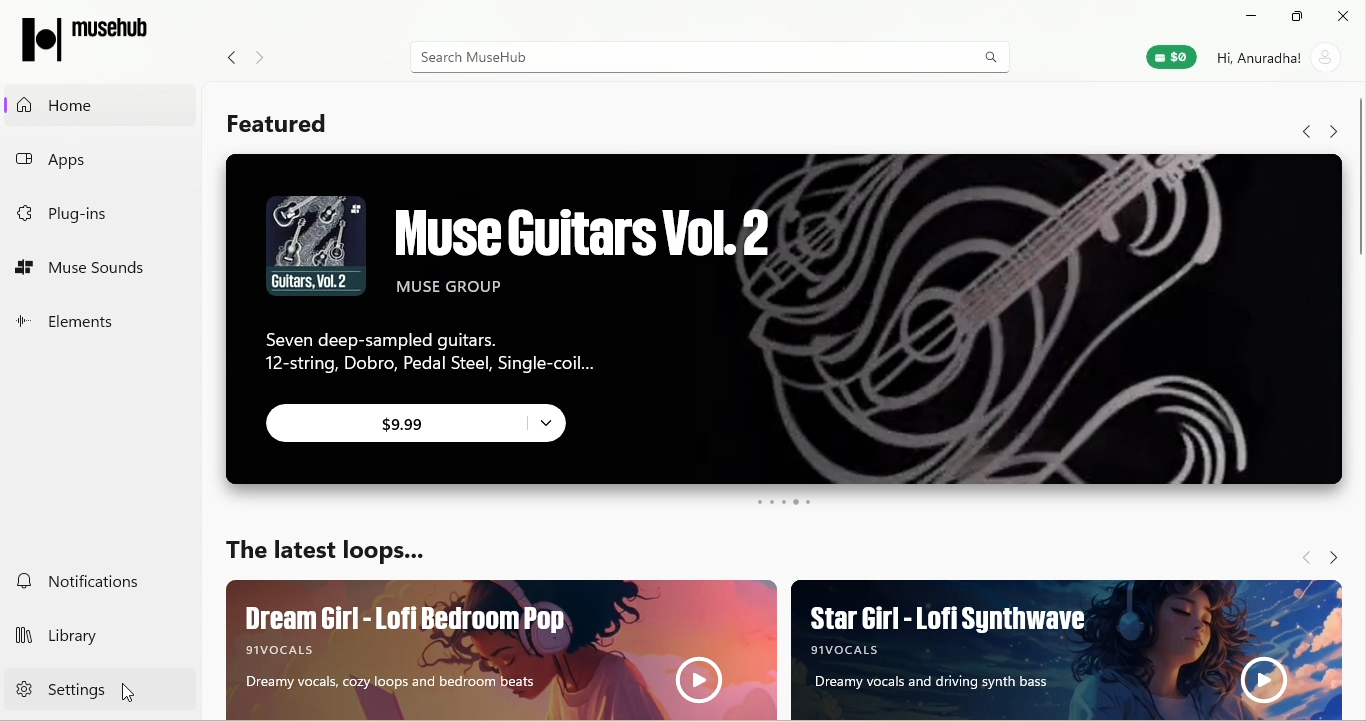 This screenshot has height=722, width=1366. I want to click on navigate back, so click(1299, 555).